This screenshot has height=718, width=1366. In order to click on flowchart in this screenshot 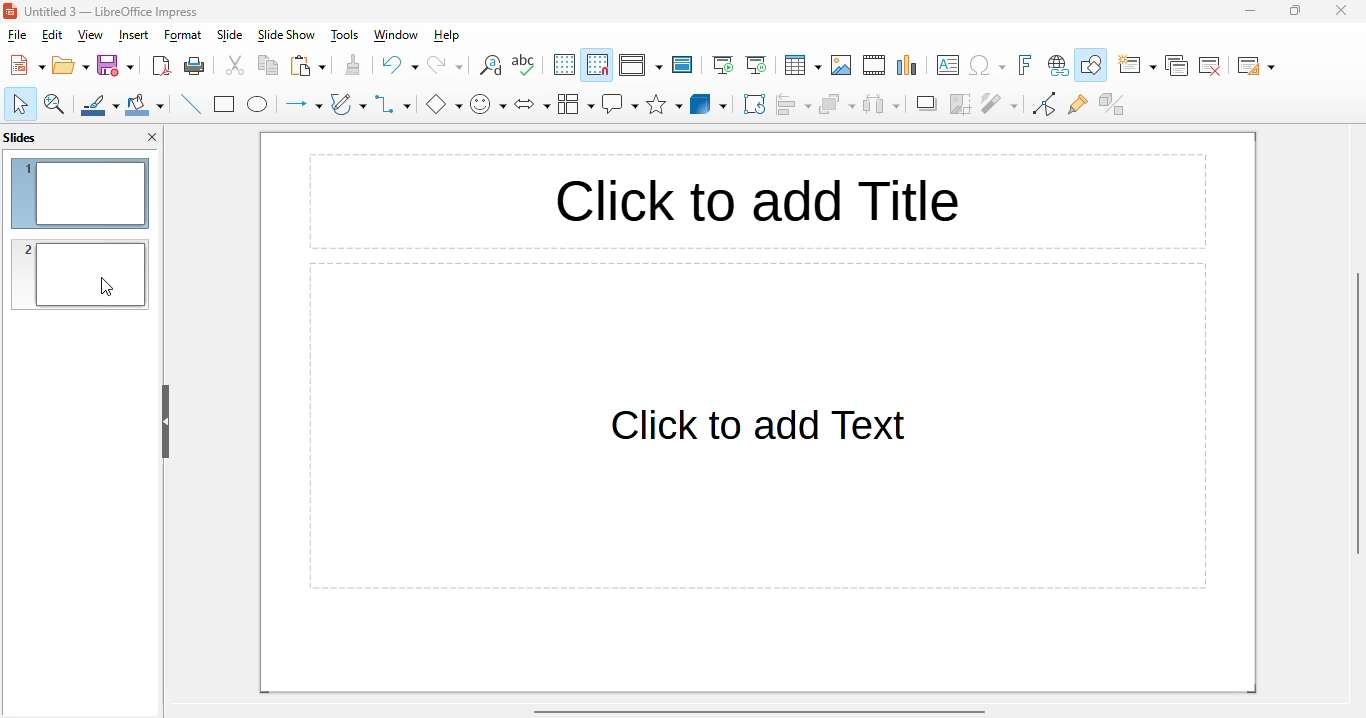, I will do `click(576, 105)`.